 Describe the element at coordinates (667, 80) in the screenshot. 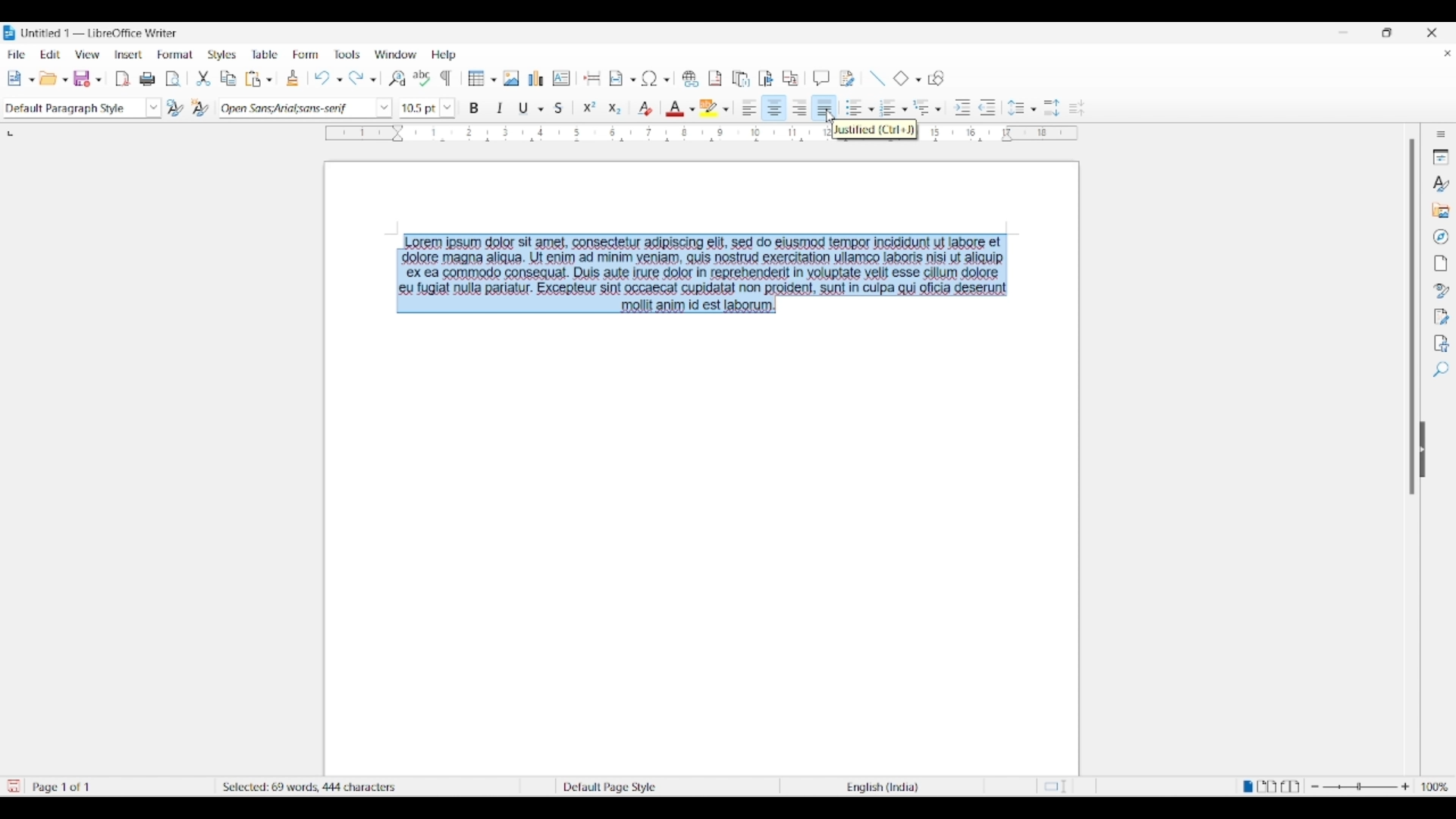

I see `Special character options` at that location.